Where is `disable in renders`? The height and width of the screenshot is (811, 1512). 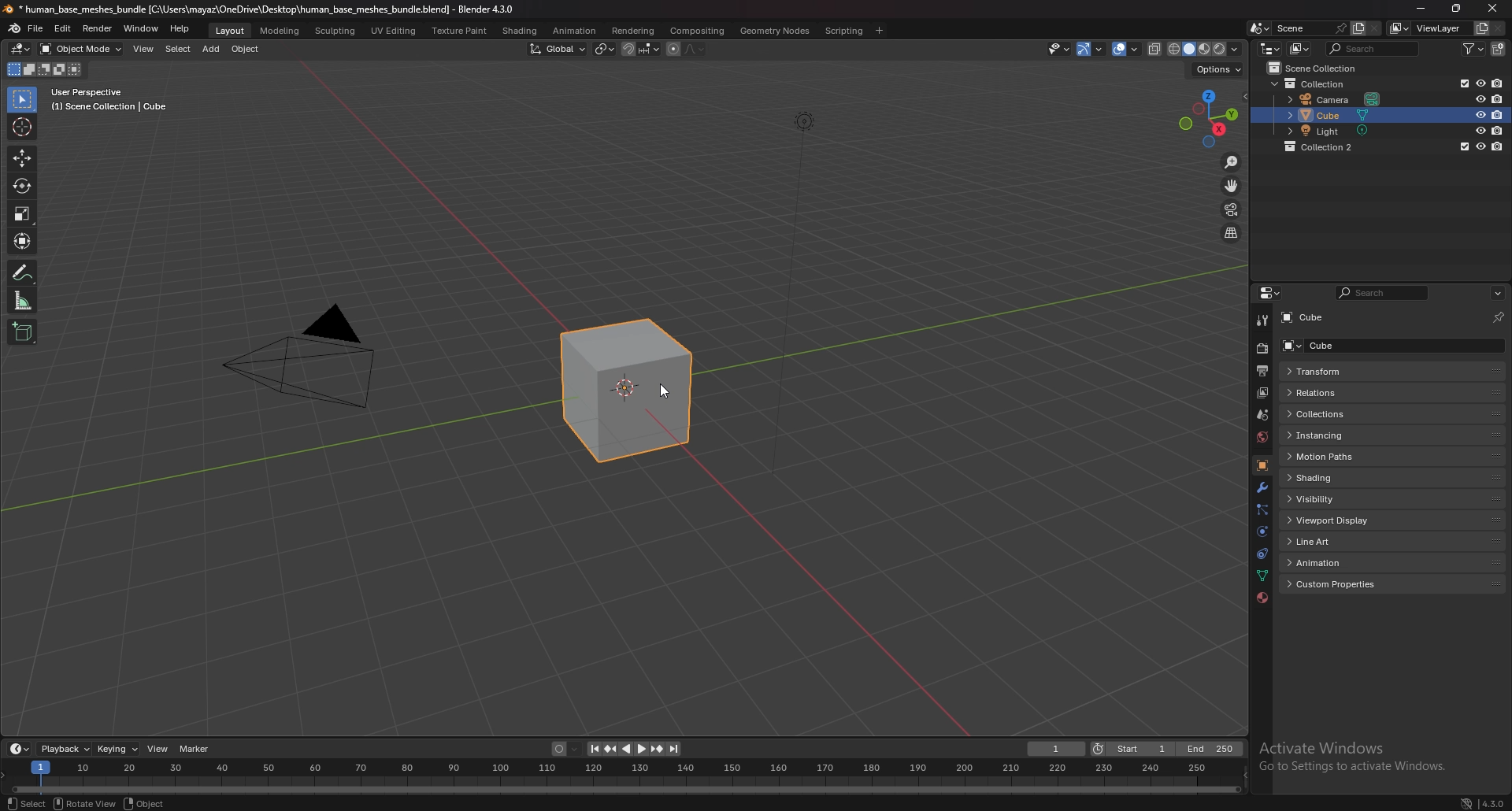
disable in renders is located at coordinates (1499, 130).